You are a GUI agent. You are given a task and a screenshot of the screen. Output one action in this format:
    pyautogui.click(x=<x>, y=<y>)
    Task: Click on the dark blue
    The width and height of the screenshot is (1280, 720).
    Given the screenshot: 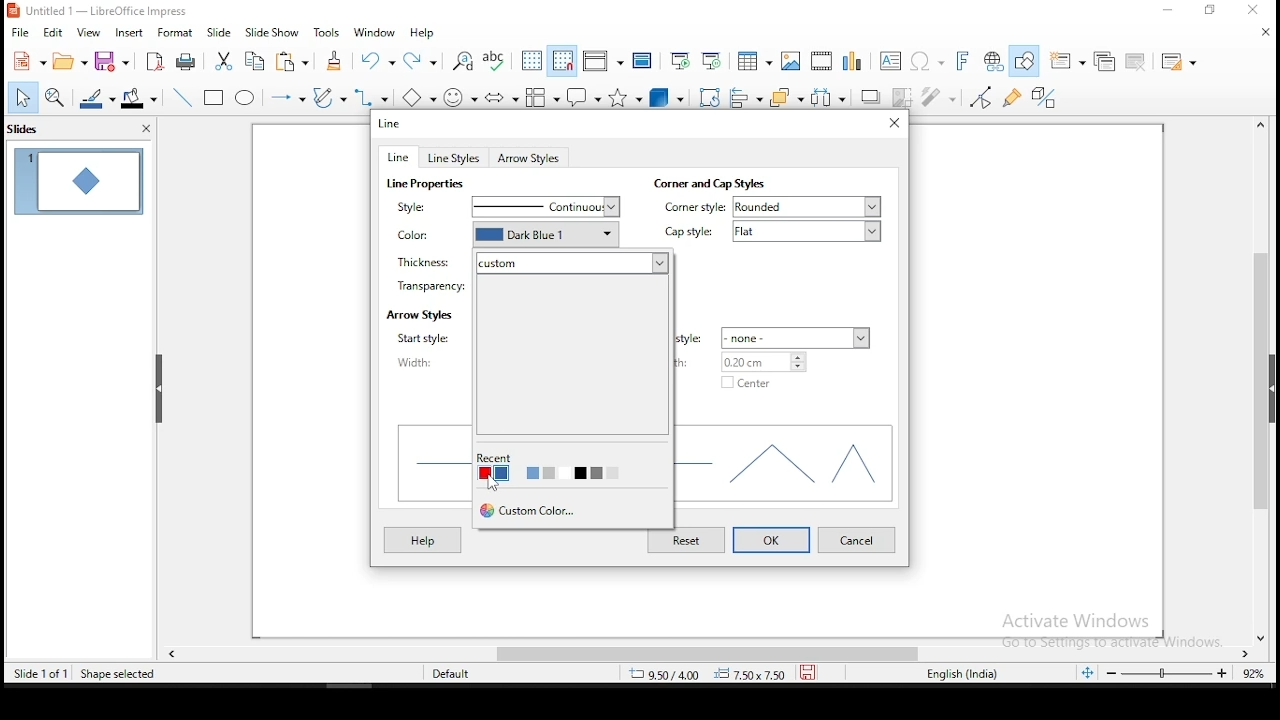 What is the action you would take?
    pyautogui.click(x=550, y=236)
    